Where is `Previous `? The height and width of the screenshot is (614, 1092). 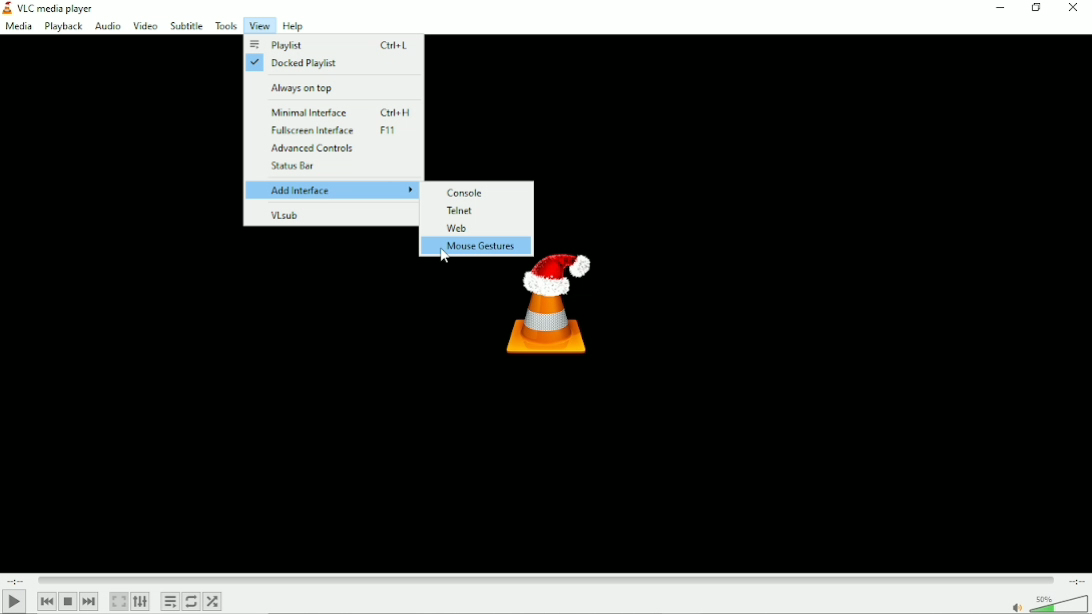 Previous  is located at coordinates (47, 602).